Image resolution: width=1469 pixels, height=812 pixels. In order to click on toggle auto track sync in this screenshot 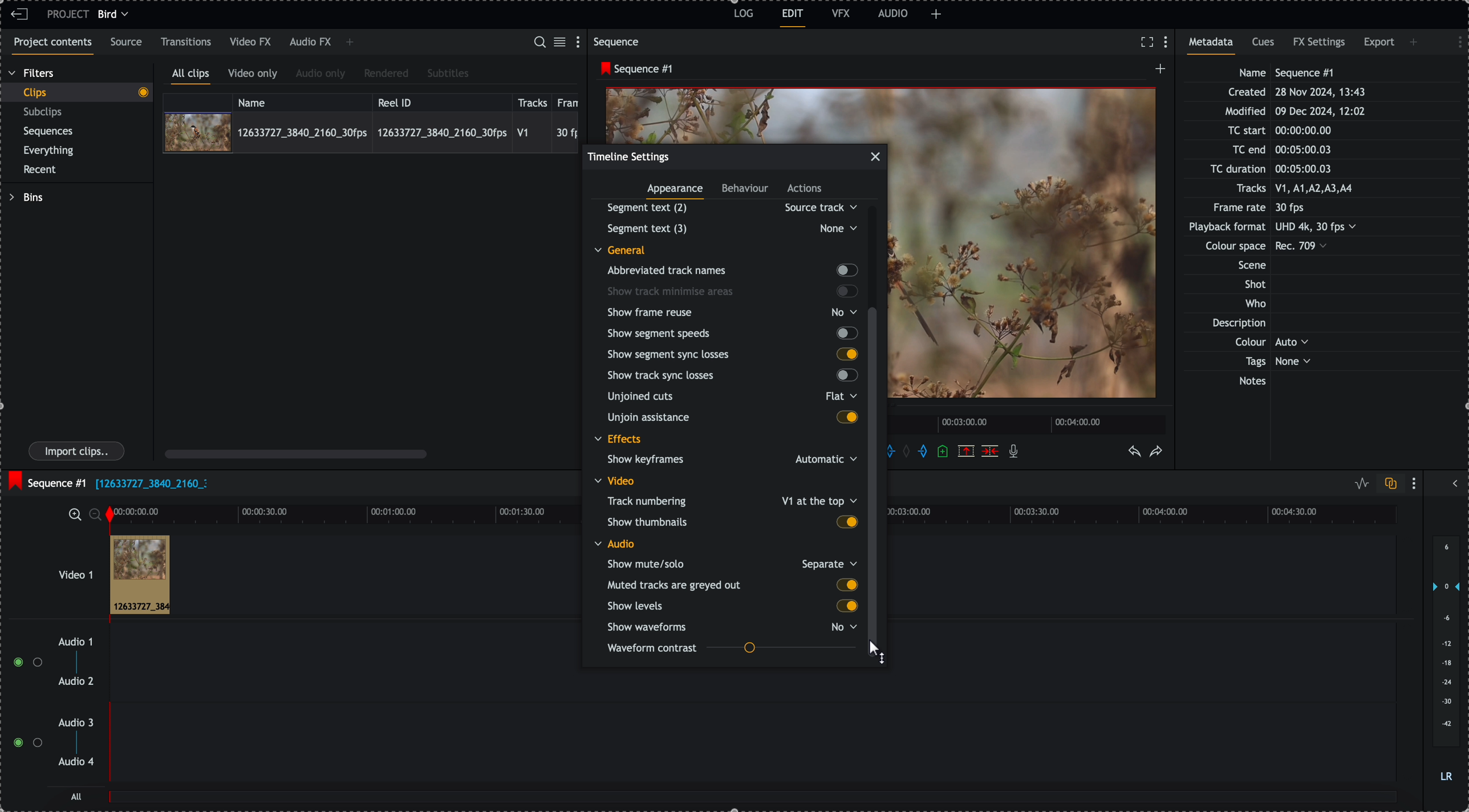, I will do `click(1388, 484)`.